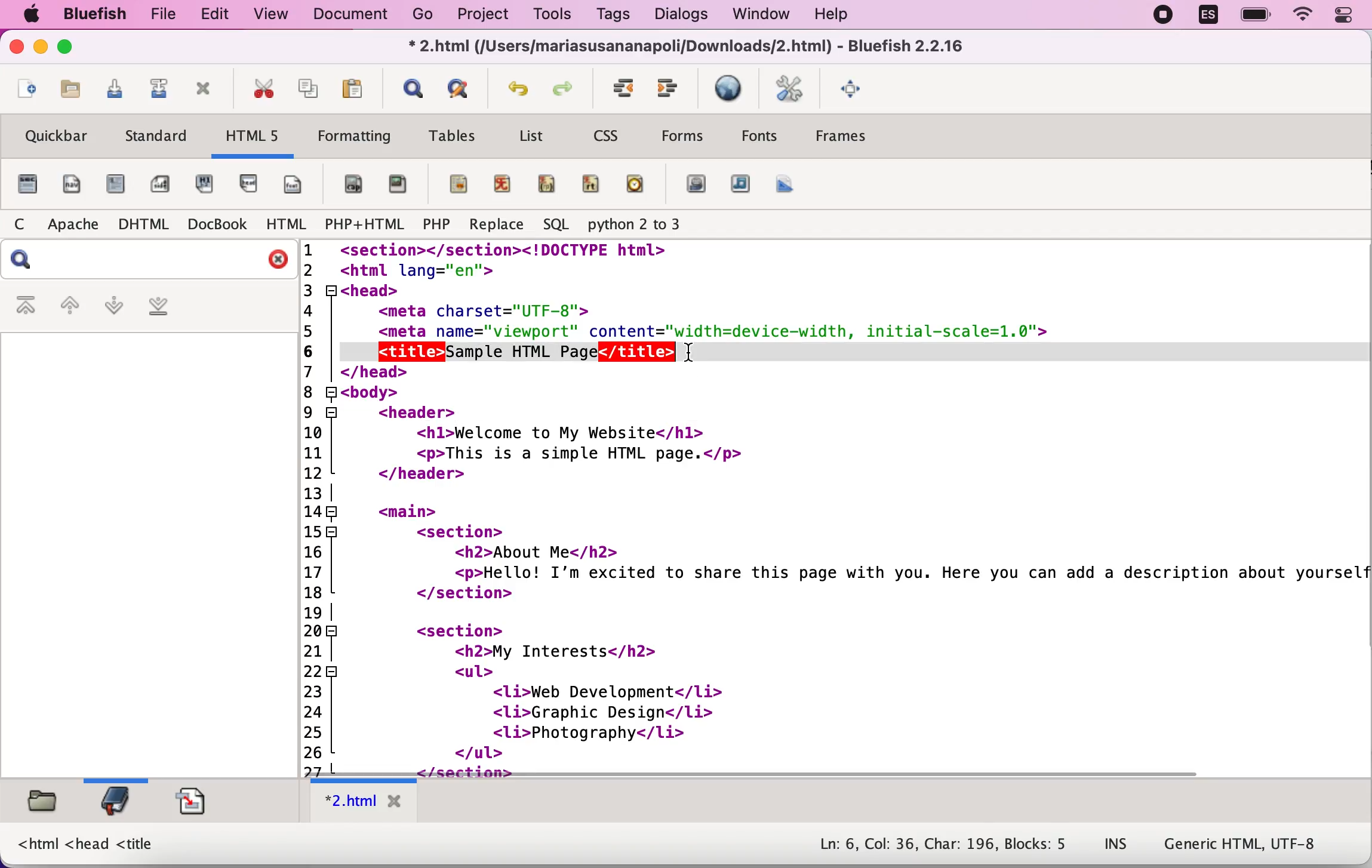 The height and width of the screenshot is (868, 1372). What do you see at coordinates (27, 306) in the screenshot?
I see `first bookmark` at bounding box center [27, 306].